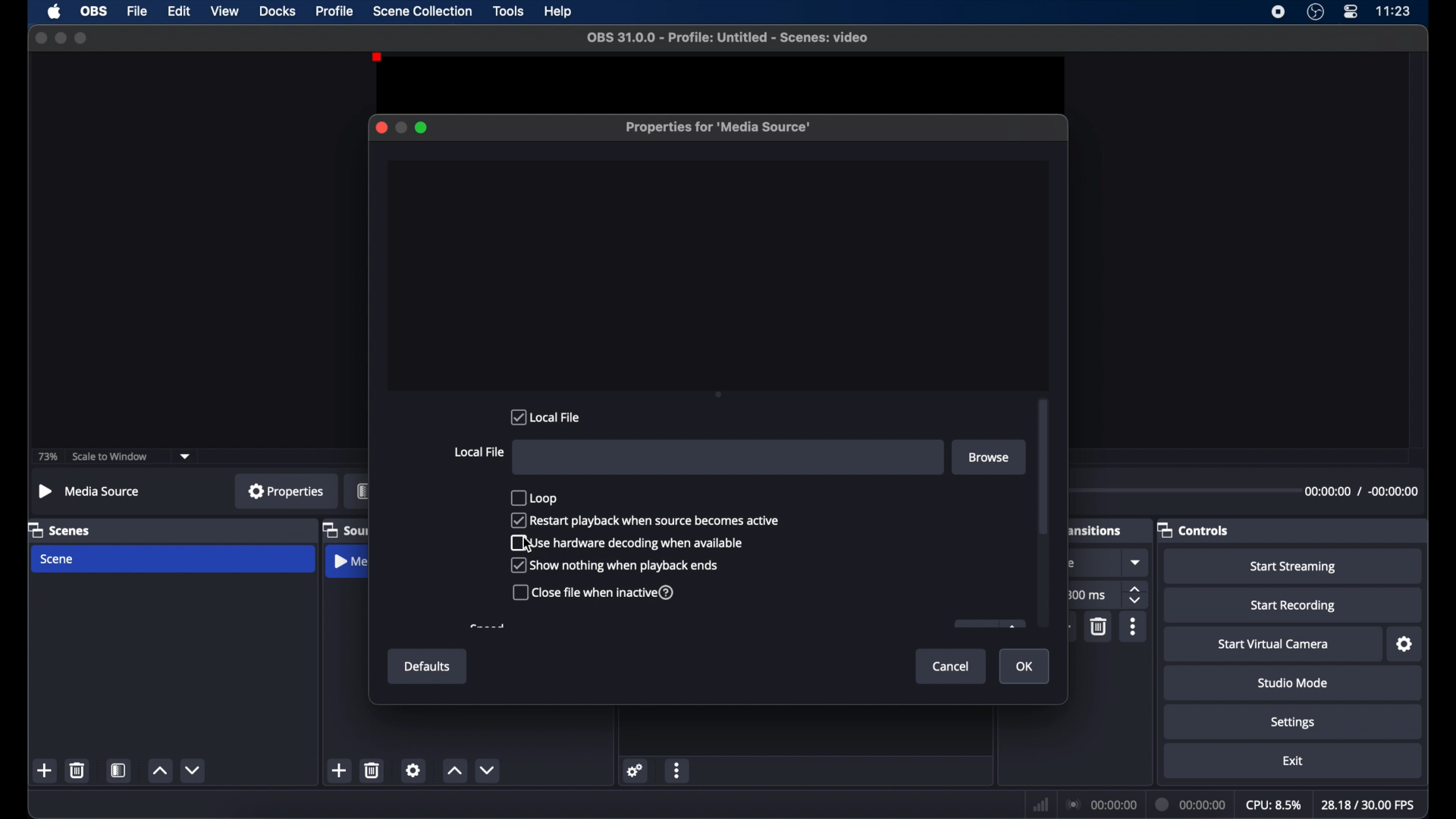 Image resolution: width=1456 pixels, height=819 pixels. What do you see at coordinates (1294, 723) in the screenshot?
I see `settings` at bounding box center [1294, 723].